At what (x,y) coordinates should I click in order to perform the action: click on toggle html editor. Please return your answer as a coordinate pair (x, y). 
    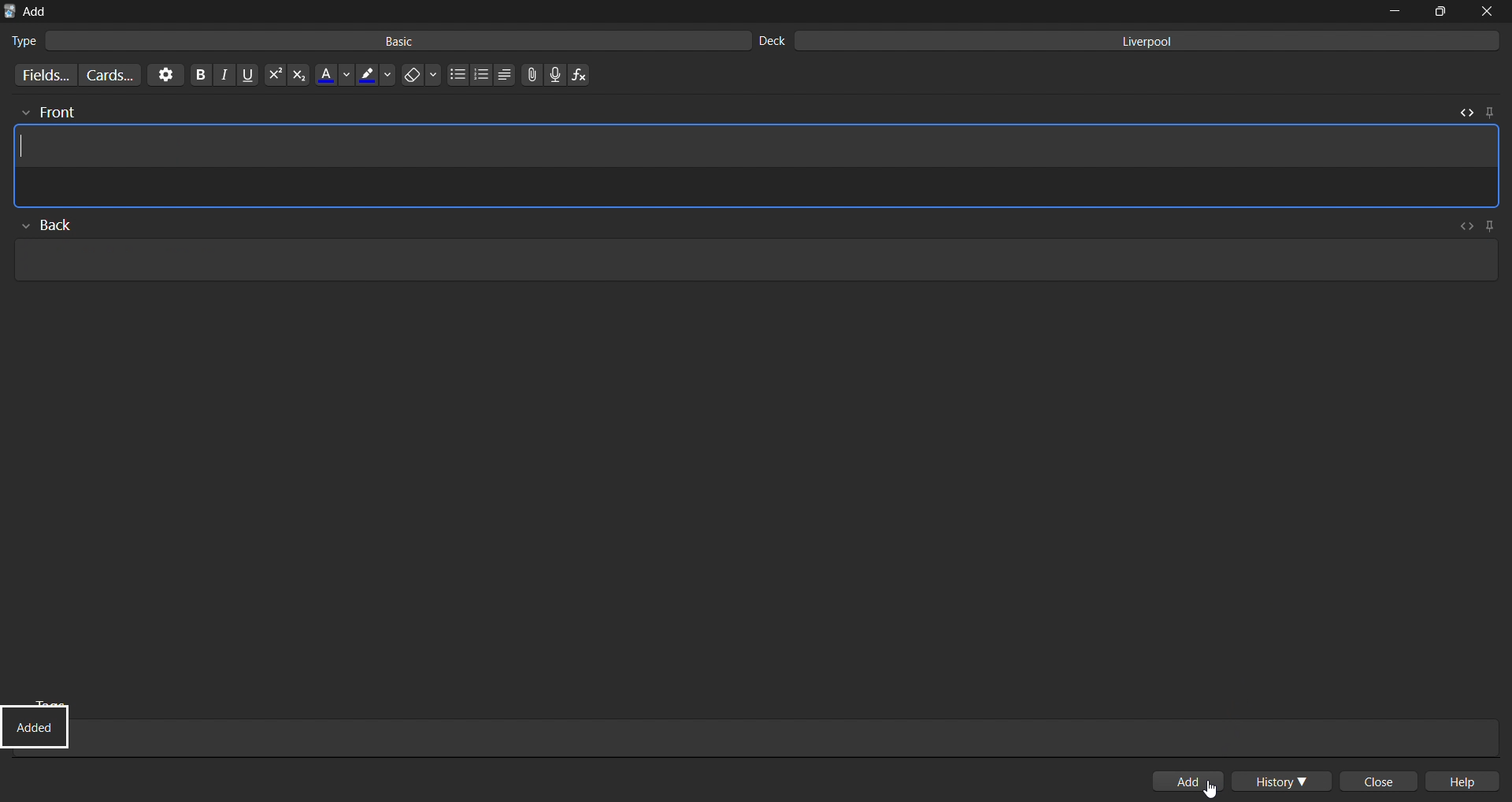
    Looking at the image, I should click on (1463, 111).